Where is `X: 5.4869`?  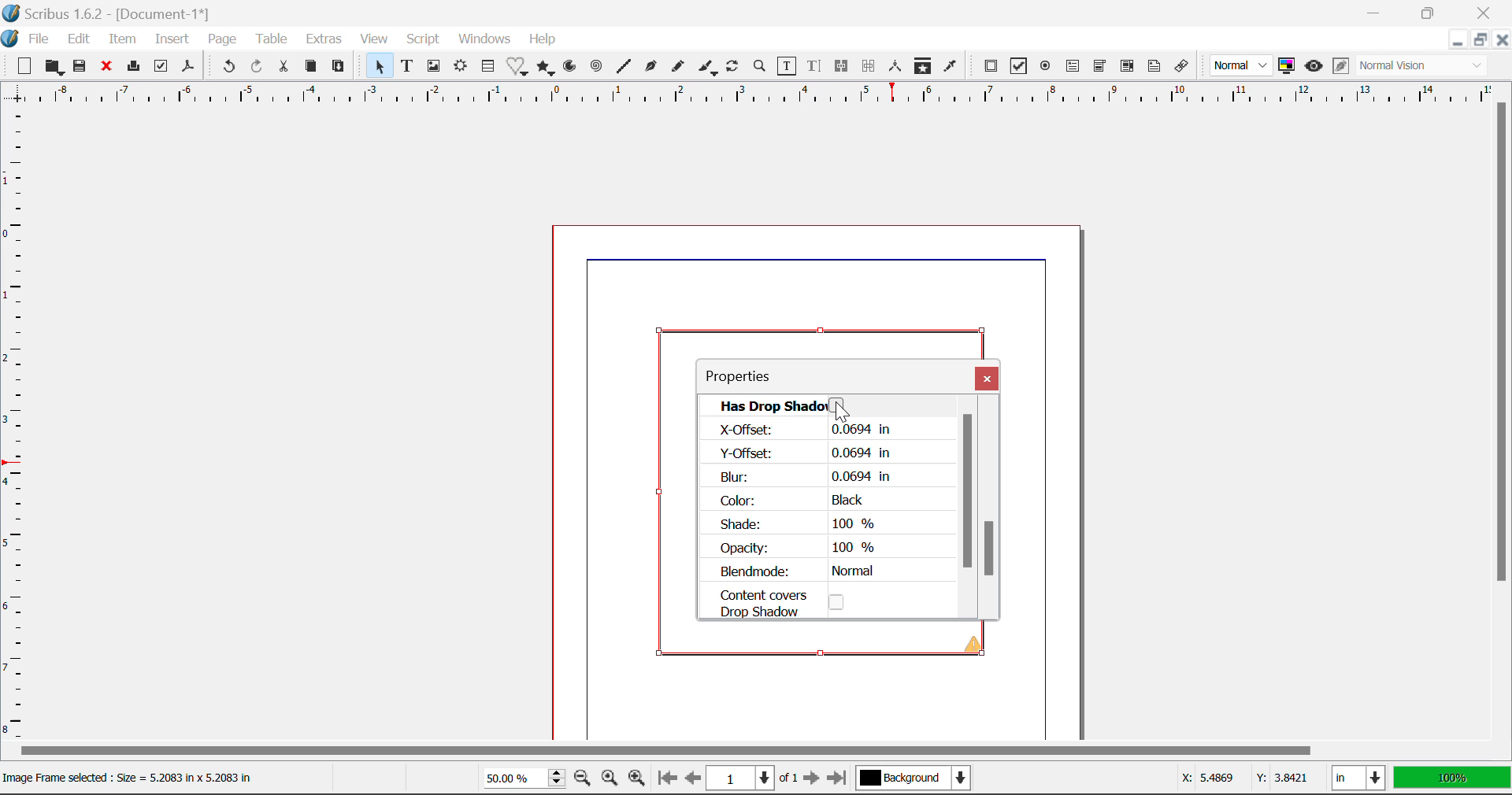
X: 5.4869 is located at coordinates (1206, 777).